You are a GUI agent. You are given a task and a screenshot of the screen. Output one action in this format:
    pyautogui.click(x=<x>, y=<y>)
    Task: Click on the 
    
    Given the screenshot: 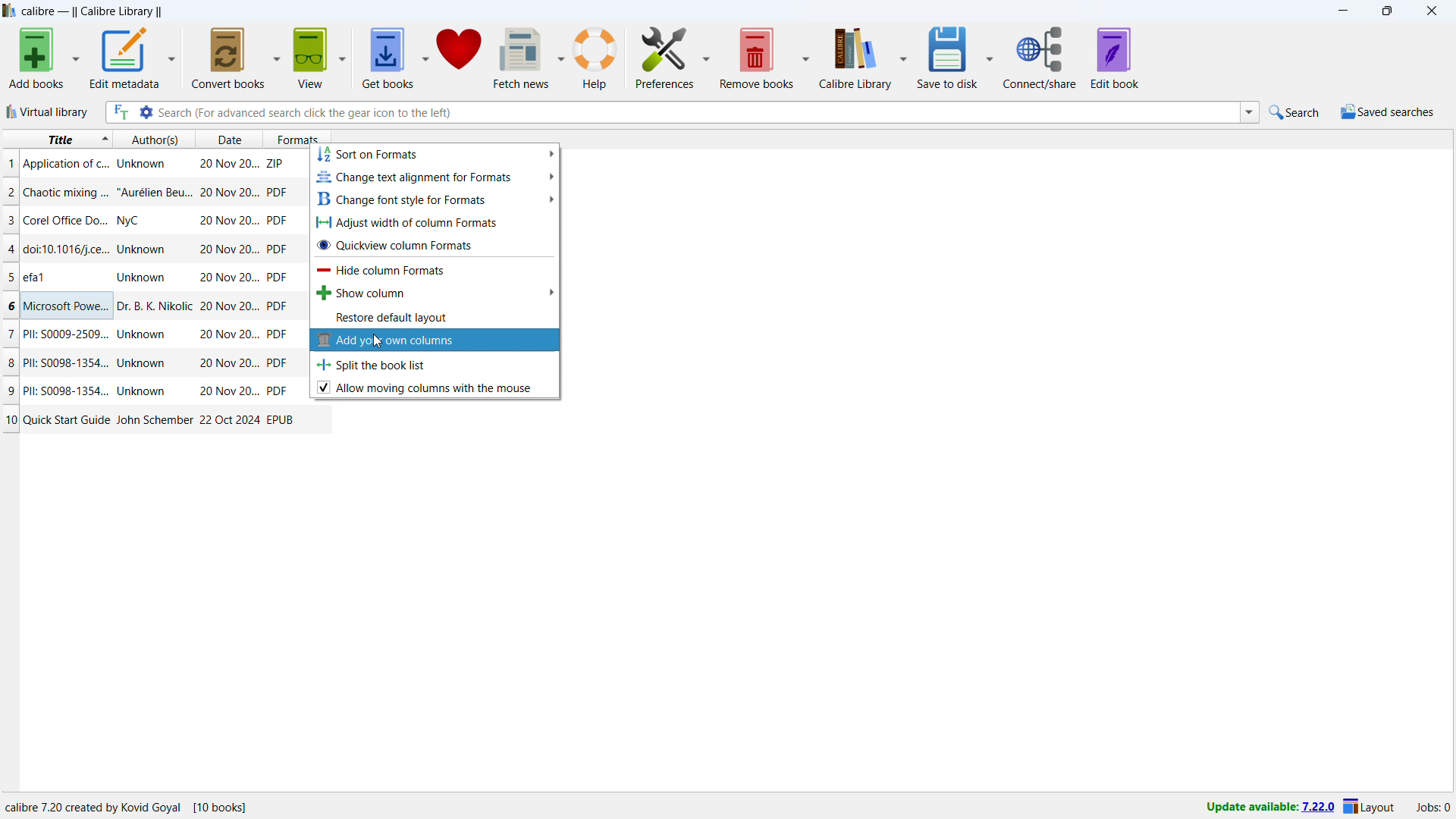 What is the action you would take?
    pyautogui.click(x=125, y=58)
    